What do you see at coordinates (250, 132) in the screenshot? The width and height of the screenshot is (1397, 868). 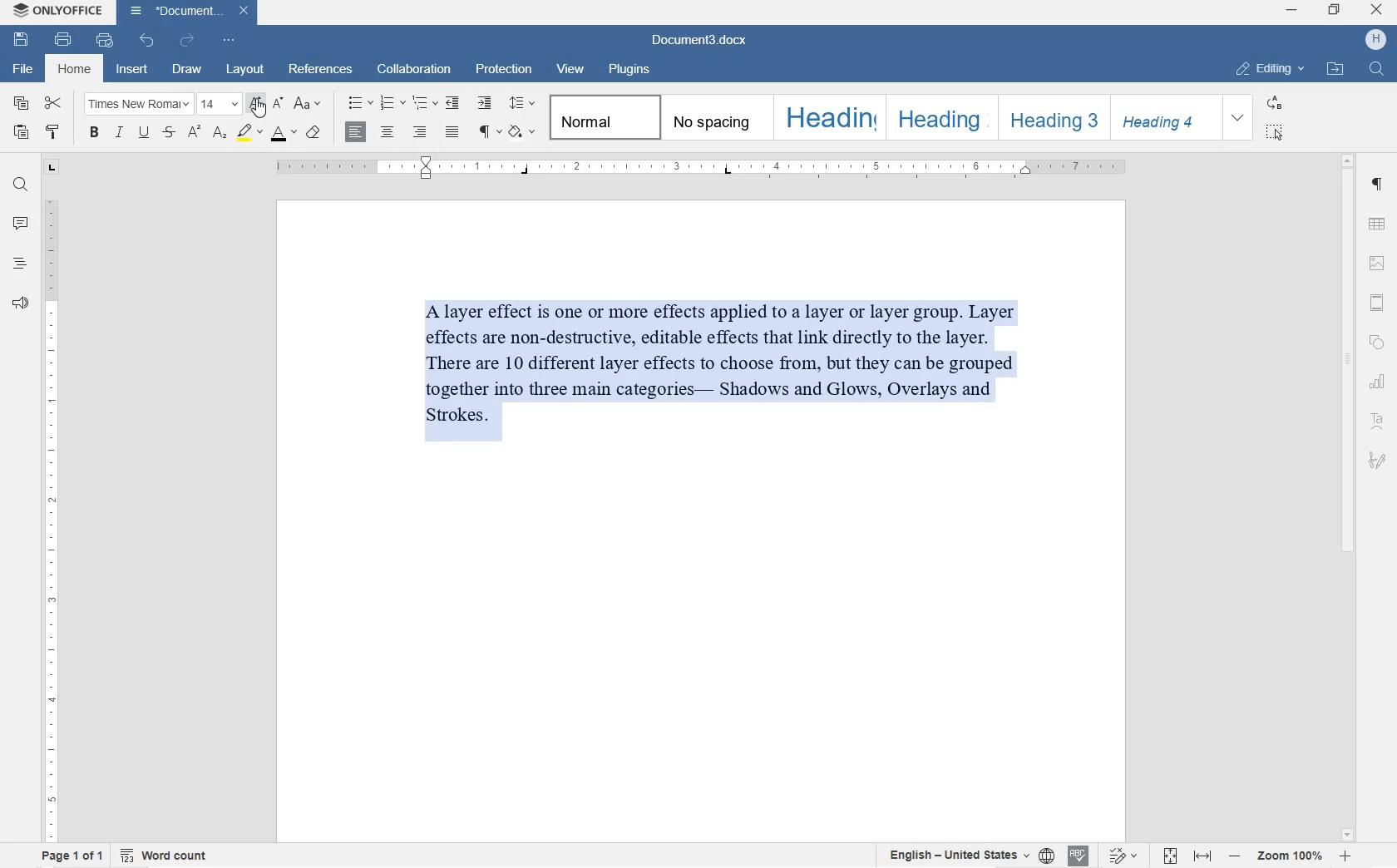 I see `HIGHLIGHT COLOR` at bounding box center [250, 132].